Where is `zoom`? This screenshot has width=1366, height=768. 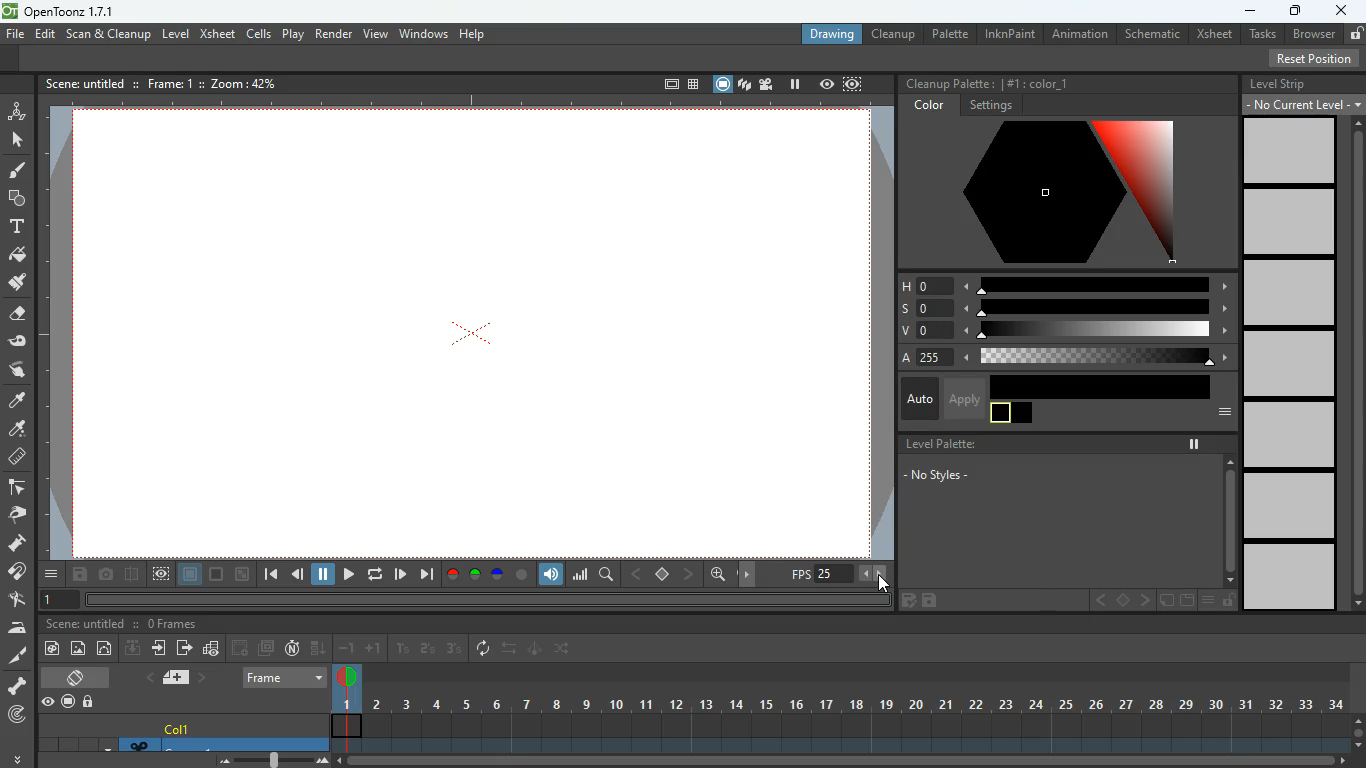
zoom is located at coordinates (273, 760).